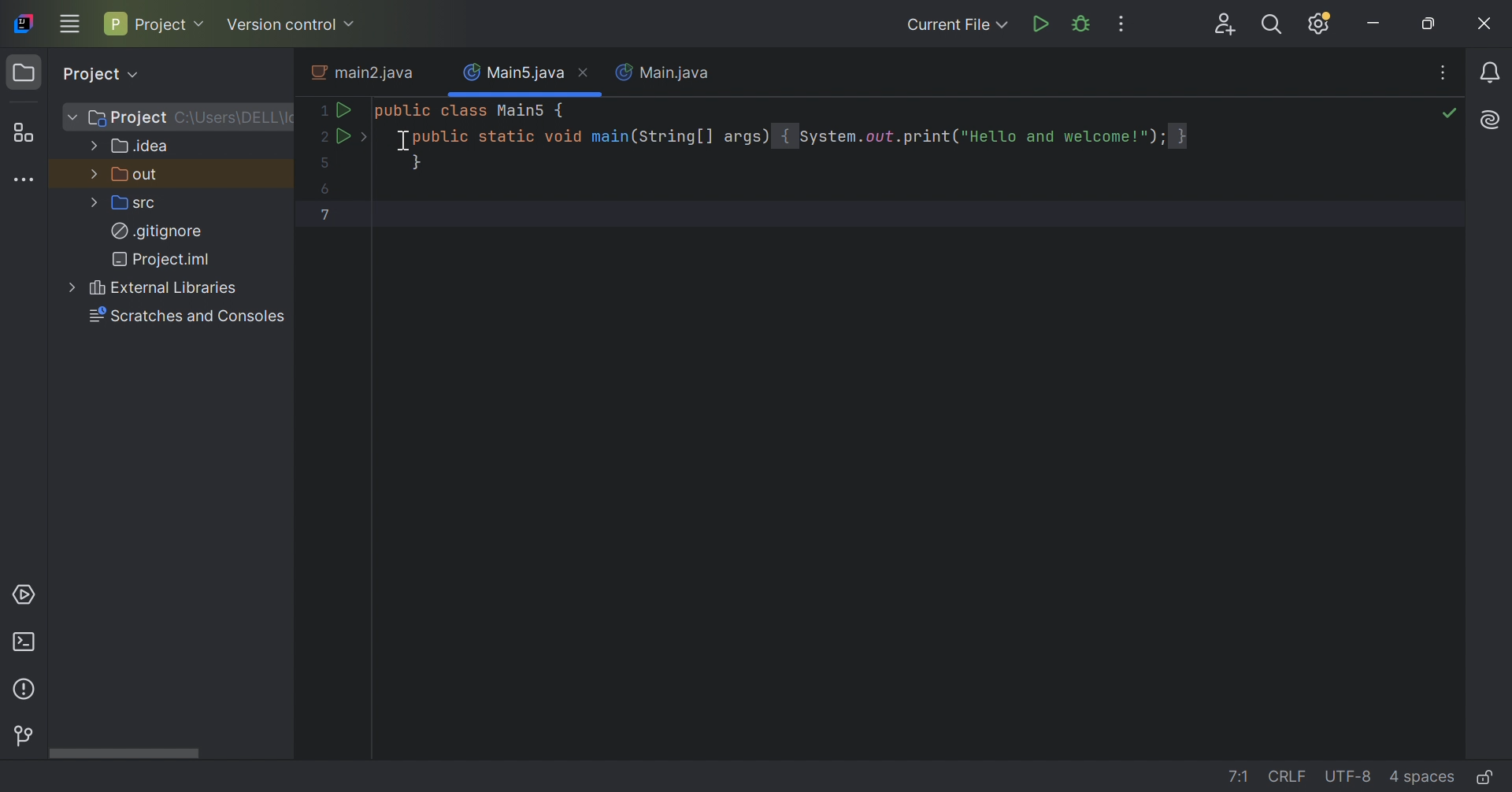 The width and height of the screenshot is (1512, 792). I want to click on 7:1, so click(1239, 777).